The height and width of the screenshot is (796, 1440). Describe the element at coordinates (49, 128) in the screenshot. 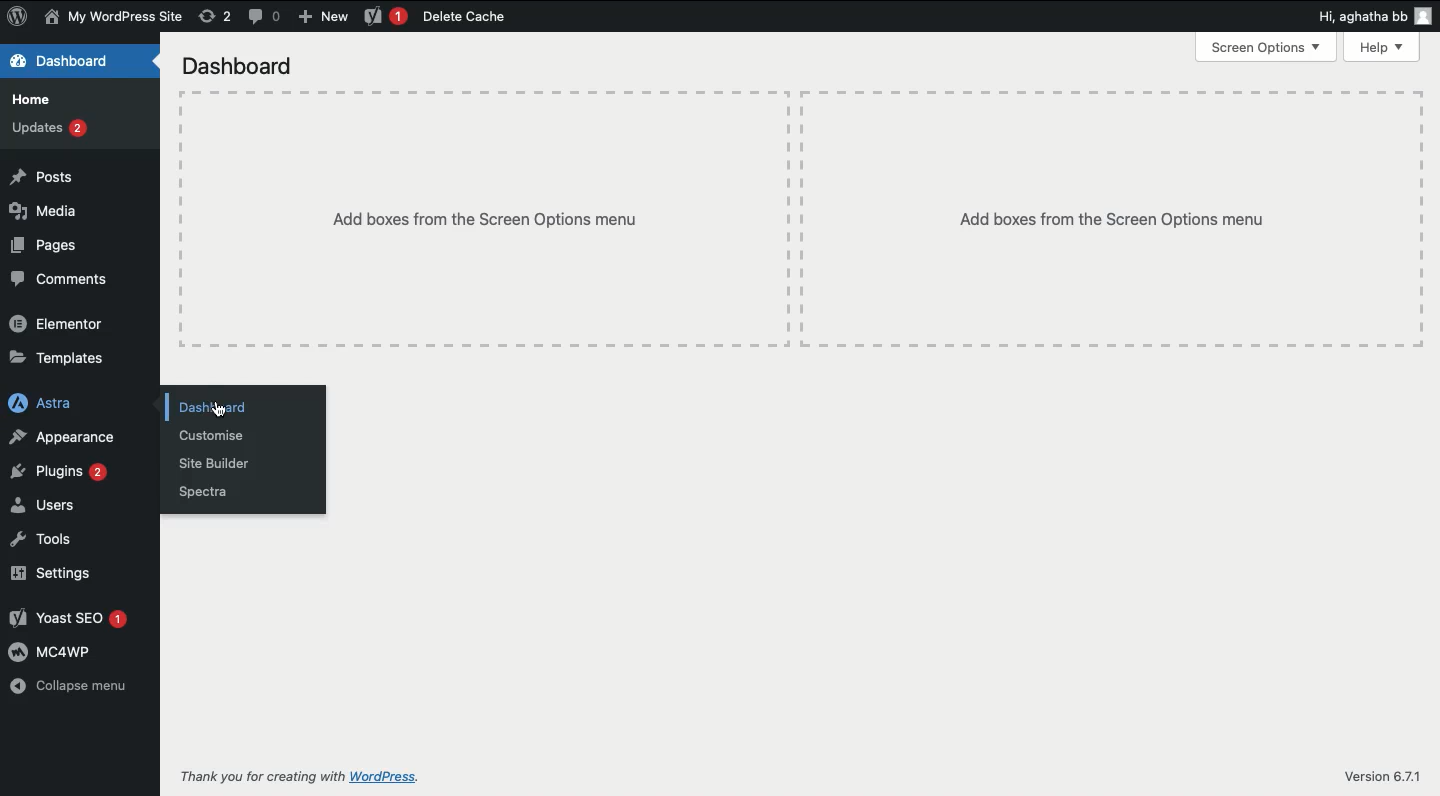

I see `Updates` at that location.